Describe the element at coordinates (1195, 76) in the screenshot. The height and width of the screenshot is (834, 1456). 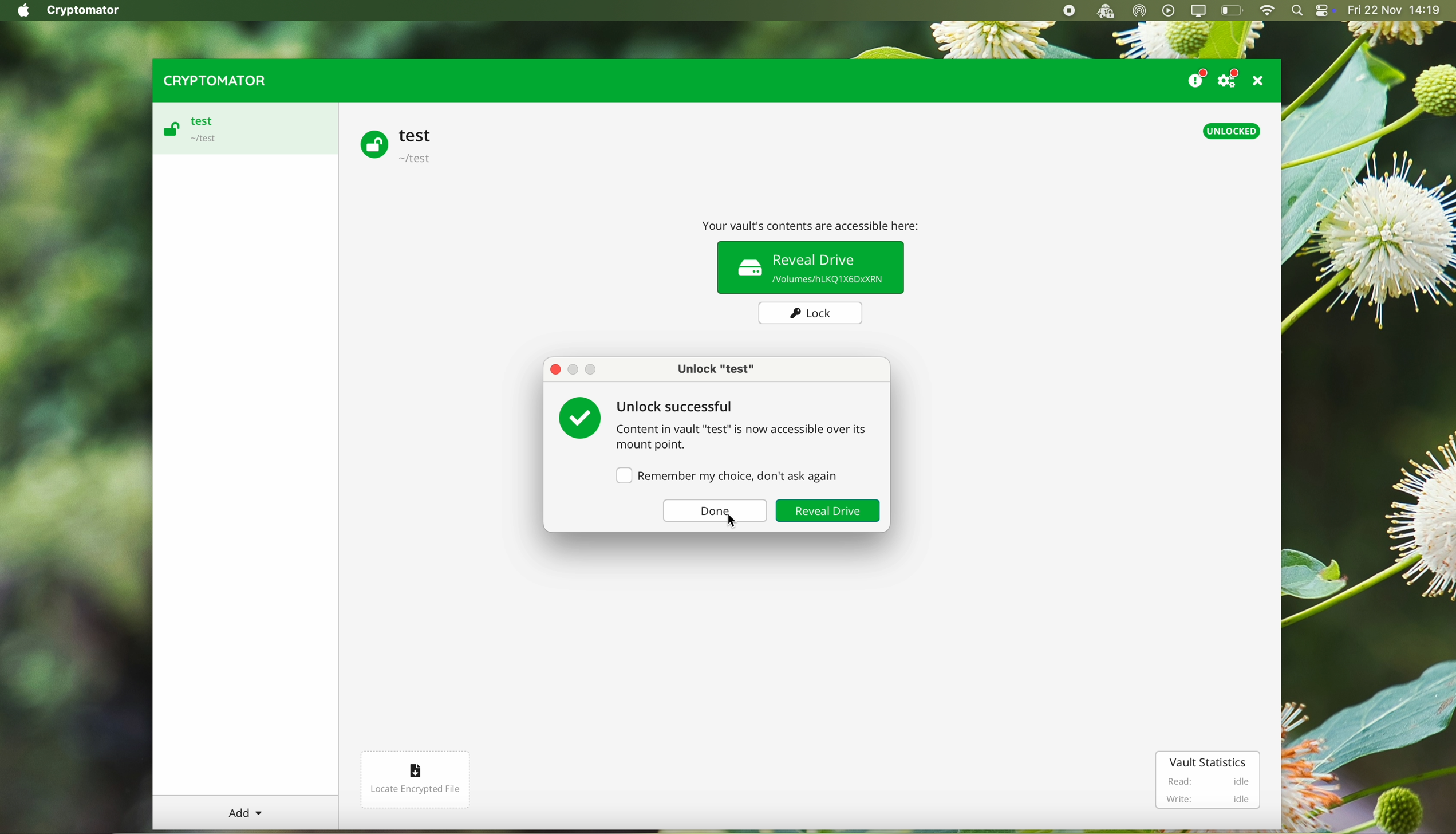
I see `donate` at that location.